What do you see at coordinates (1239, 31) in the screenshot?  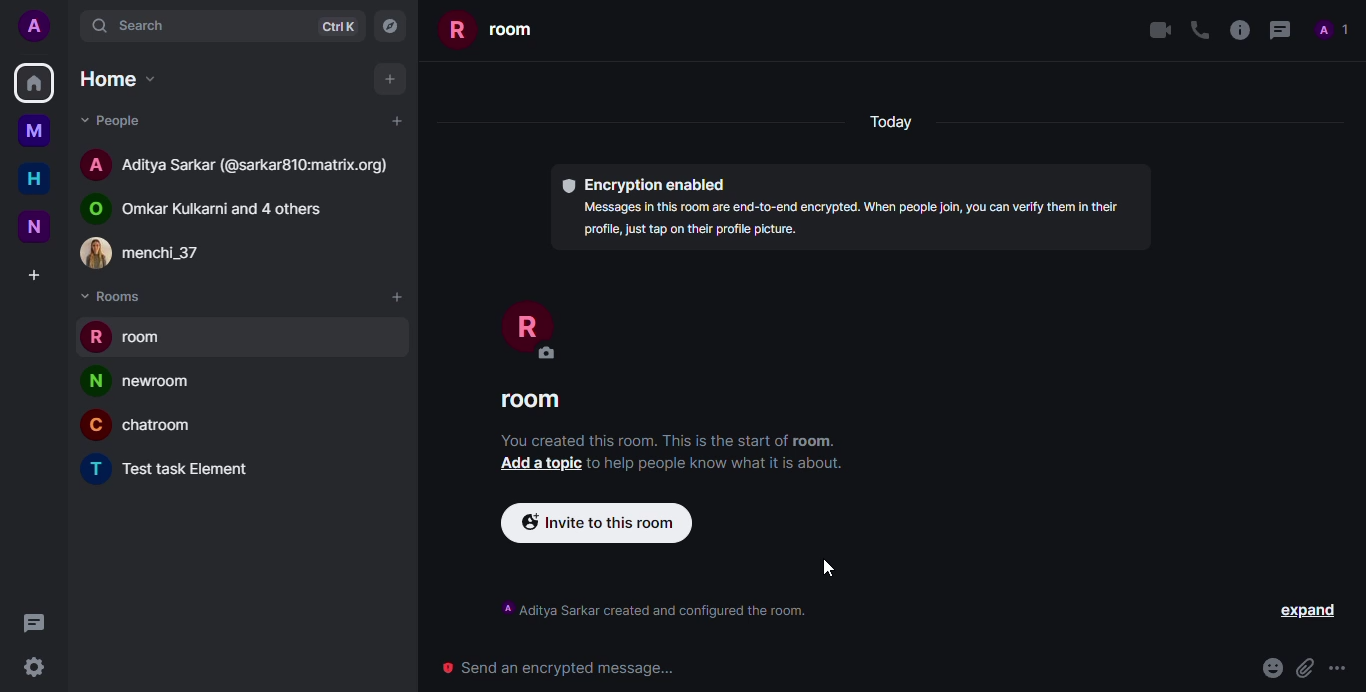 I see `info` at bounding box center [1239, 31].